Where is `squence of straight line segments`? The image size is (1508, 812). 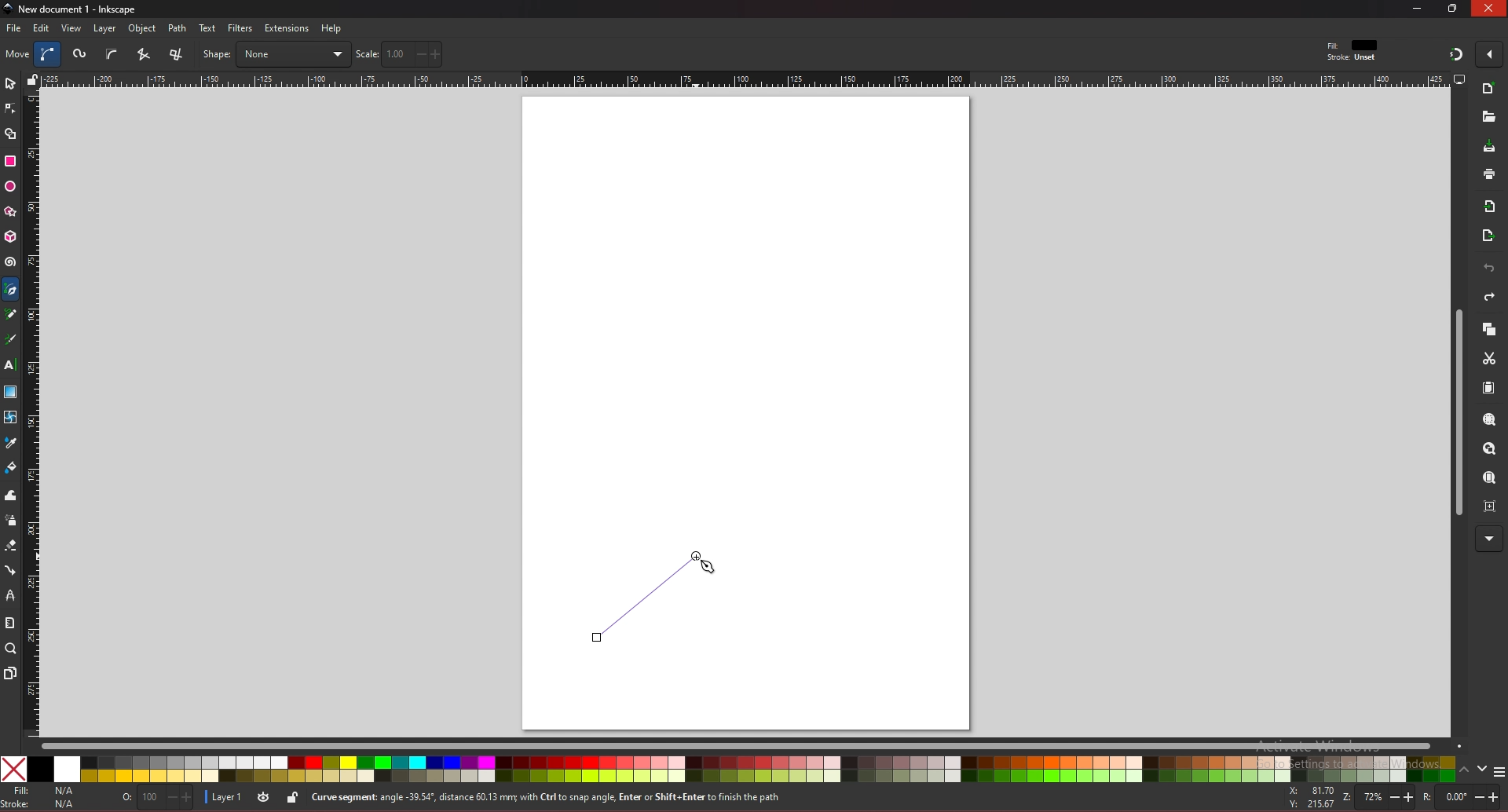 squence of straight line segments is located at coordinates (143, 54).